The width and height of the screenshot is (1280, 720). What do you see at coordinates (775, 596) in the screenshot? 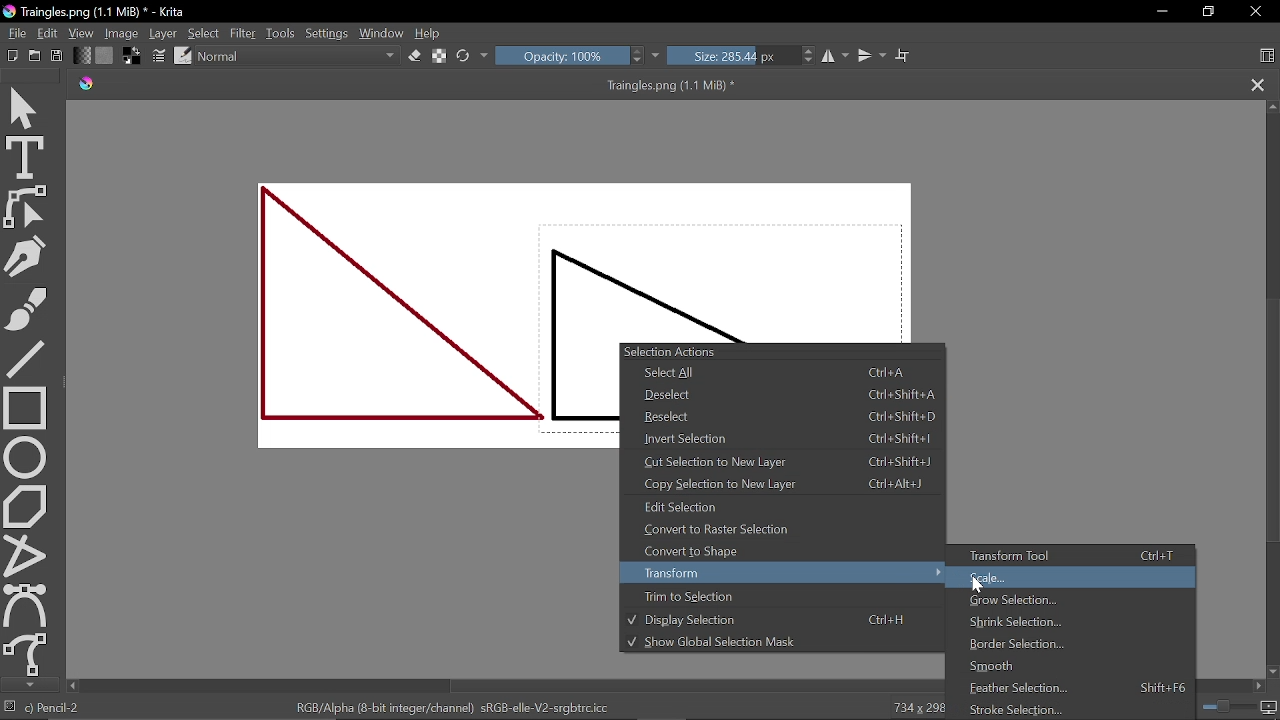
I see `Trim to selection` at bounding box center [775, 596].